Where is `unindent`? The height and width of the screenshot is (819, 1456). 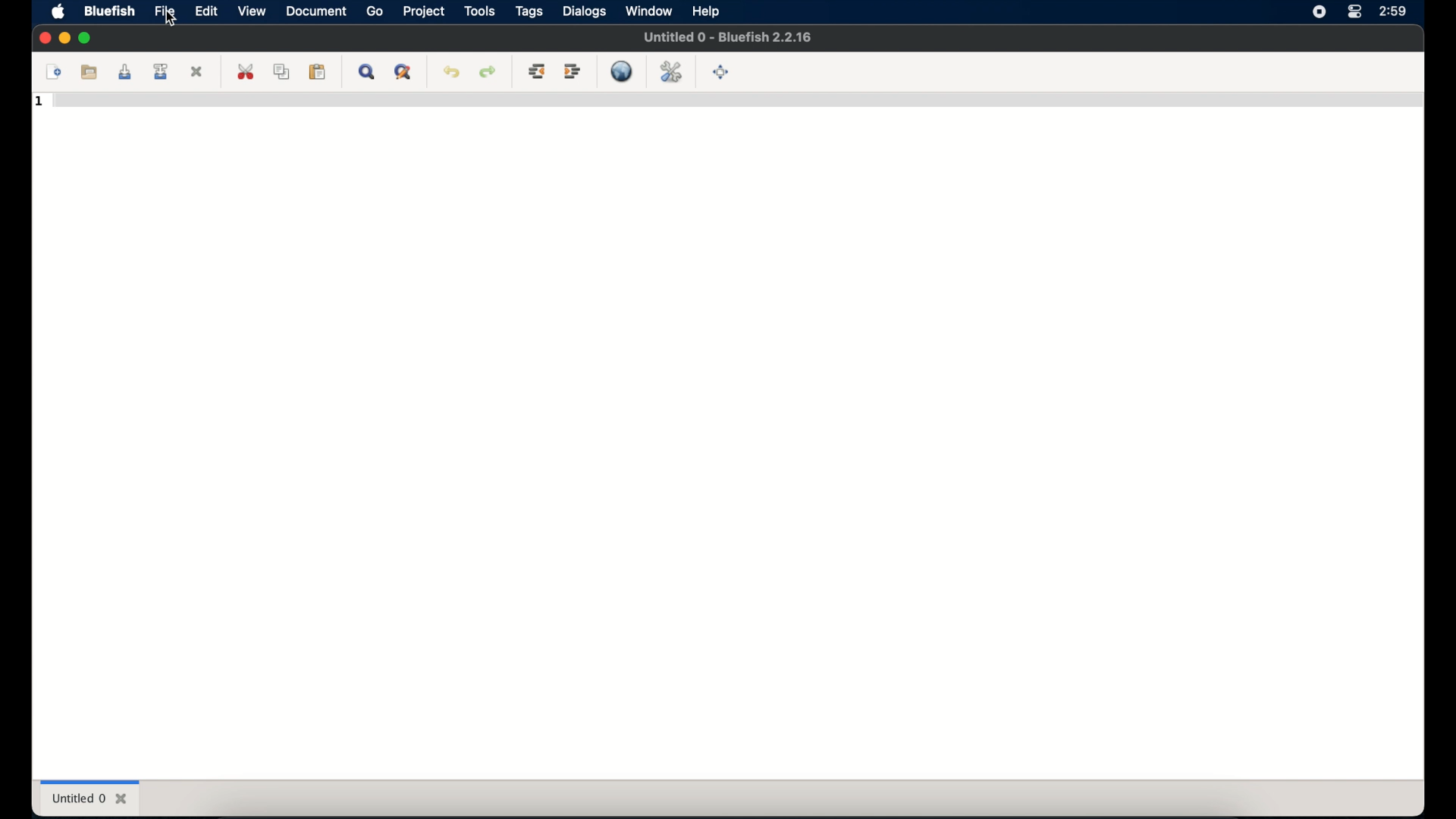 unindent is located at coordinates (538, 71).